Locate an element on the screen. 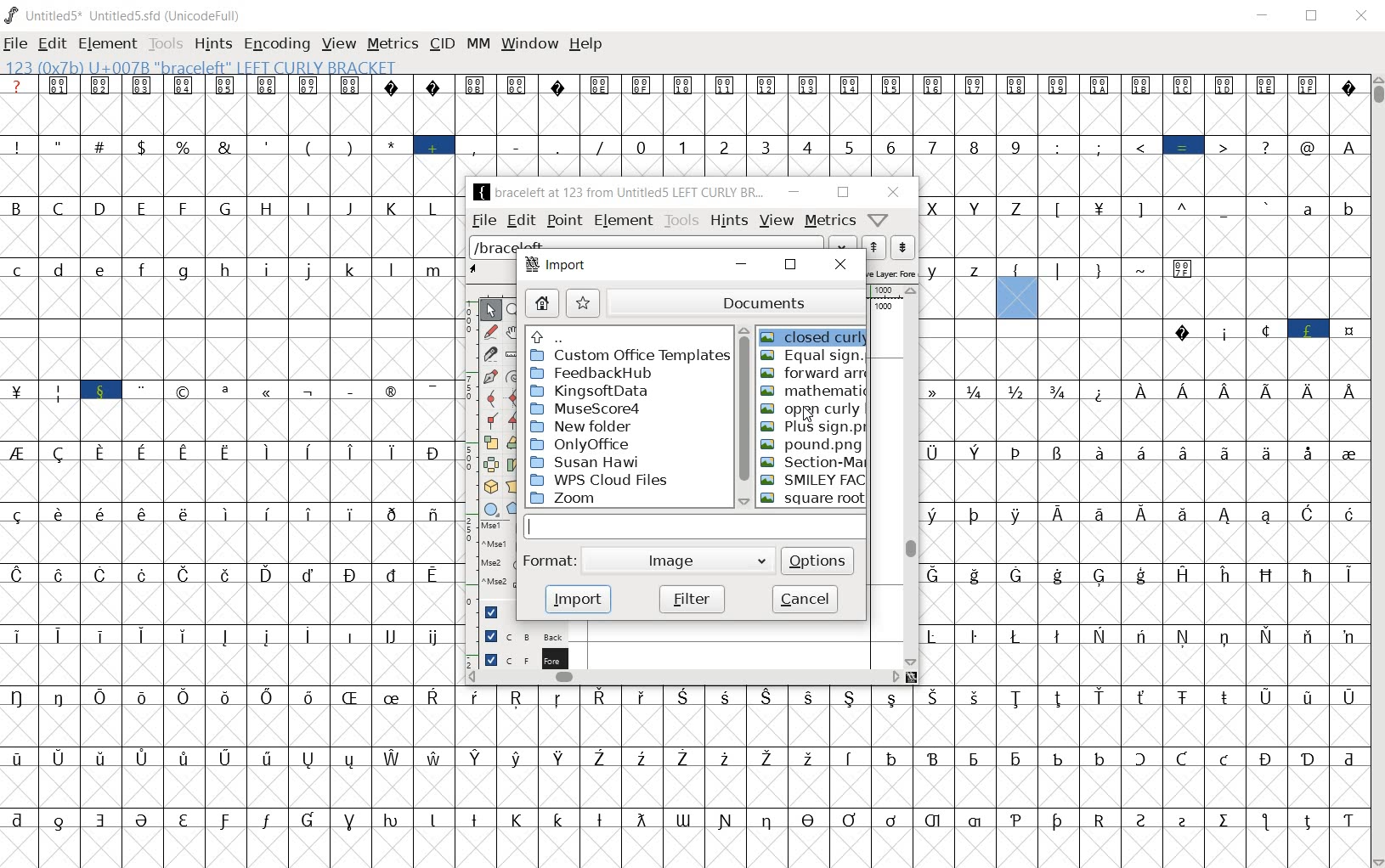  star is located at coordinates (584, 304).